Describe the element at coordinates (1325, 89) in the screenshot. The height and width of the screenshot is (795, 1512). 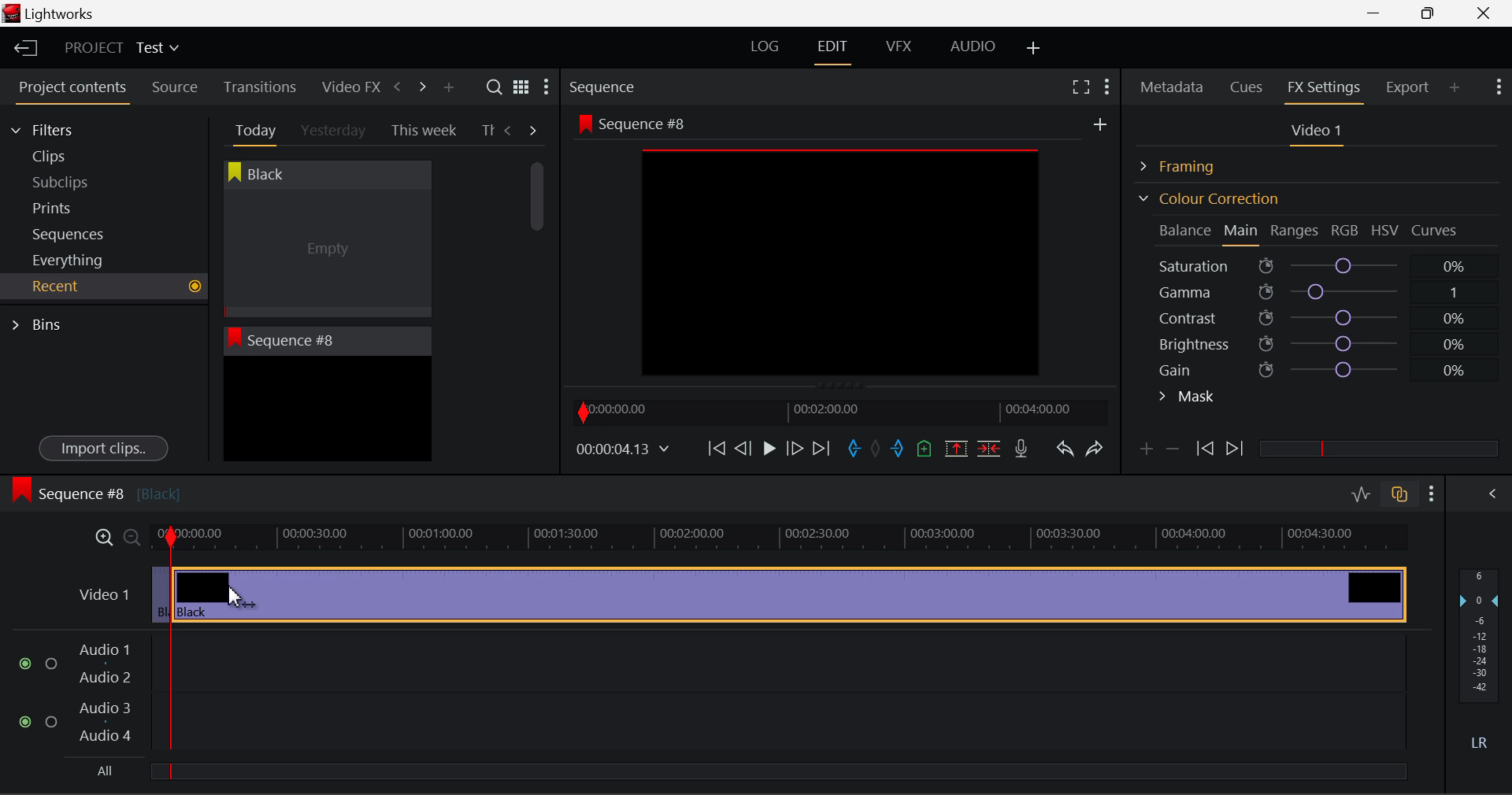
I see `FX Settings Panel Open` at that location.